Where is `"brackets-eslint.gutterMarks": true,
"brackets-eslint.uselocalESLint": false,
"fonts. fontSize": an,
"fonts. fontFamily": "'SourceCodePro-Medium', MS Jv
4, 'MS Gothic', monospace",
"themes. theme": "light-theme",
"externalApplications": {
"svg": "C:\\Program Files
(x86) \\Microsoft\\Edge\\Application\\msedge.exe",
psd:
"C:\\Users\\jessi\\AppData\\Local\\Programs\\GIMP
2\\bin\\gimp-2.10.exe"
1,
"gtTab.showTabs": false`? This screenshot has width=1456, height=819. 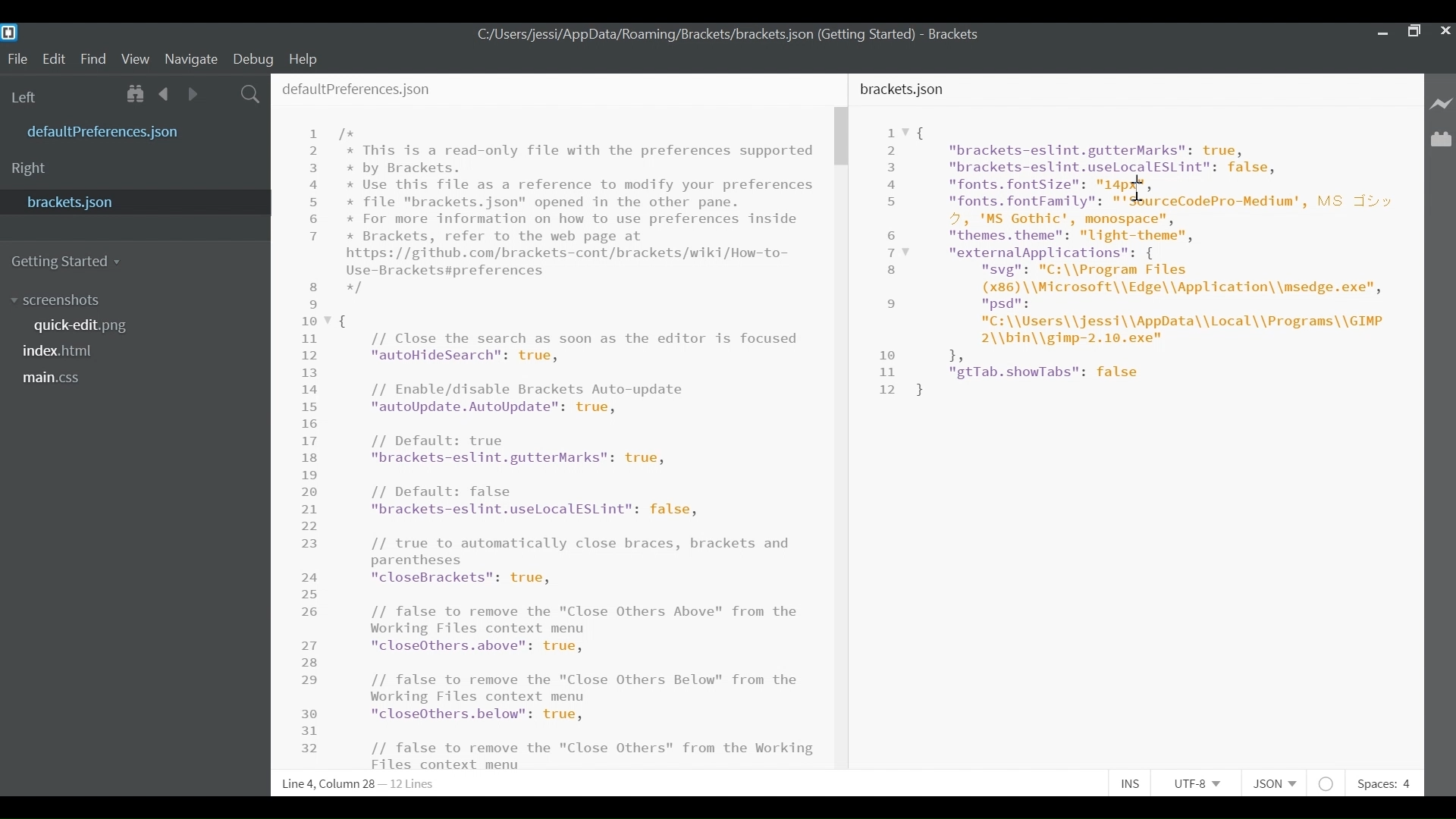
"brackets-eslint.gutterMarks": true,
"brackets-eslint.uselocalESLint": false,
"fonts. fontSize": an,
"fonts. fontFamily": "'SourceCodePro-Medium', MS Jv
4, 'MS Gothic', monospace",
"themes. theme": "light-theme",
"externalApplications": {
"svg": "C:\\Program Files
(x86) \\Microsoft\\Edge\\Application\\msedge.exe",
psd:
"C:\\Users\\jessi\\AppData\\Local\\Programs\\GIMP
2\\bin\\gimp-2.10.exe"
1,
"gtTab.showTabs": false is located at coordinates (1156, 259).